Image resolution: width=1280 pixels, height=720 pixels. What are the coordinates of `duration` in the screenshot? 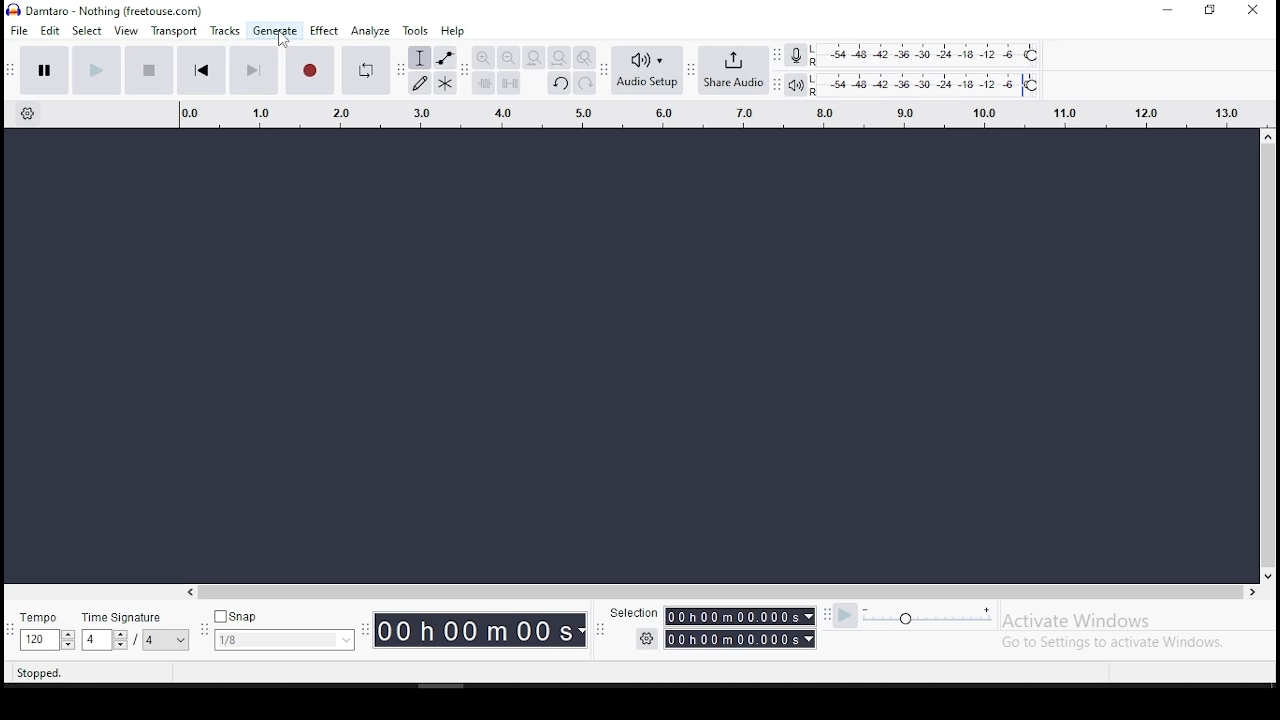 It's located at (482, 629).